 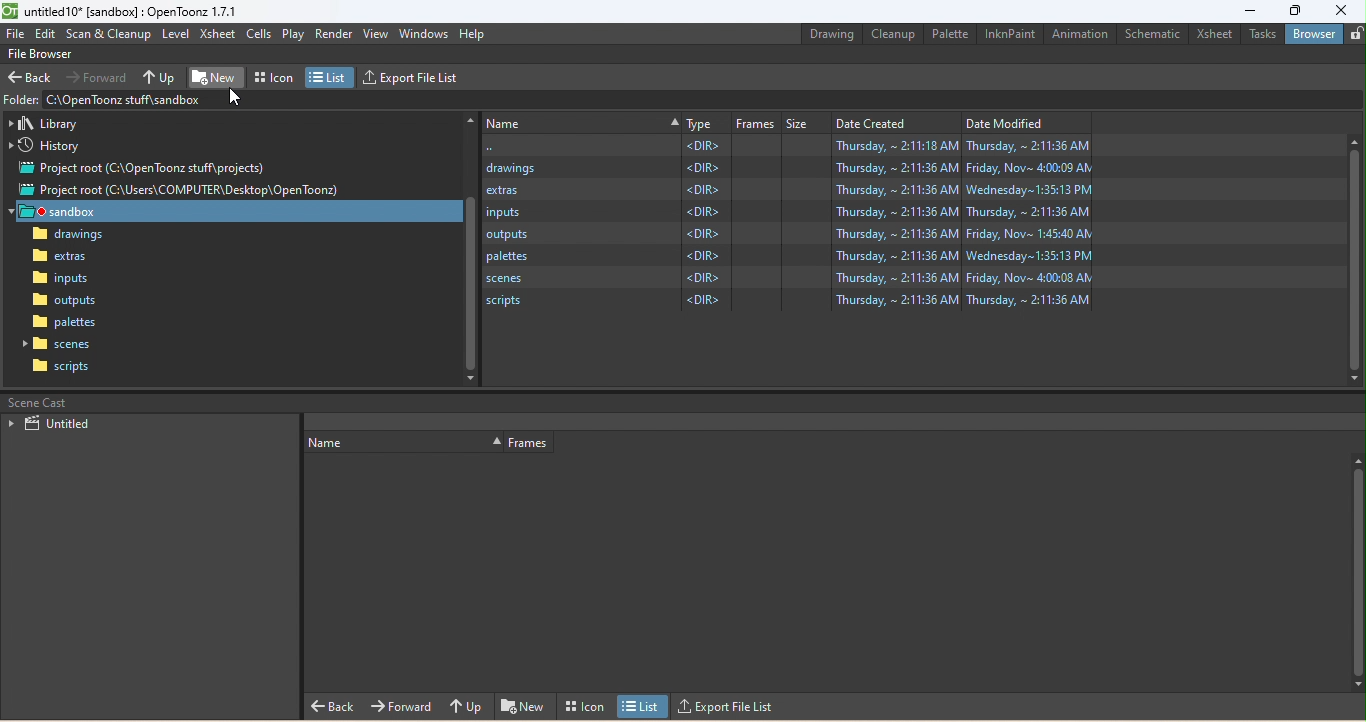 I want to click on C:\Users\COMPUTER, so click(x=785, y=146).